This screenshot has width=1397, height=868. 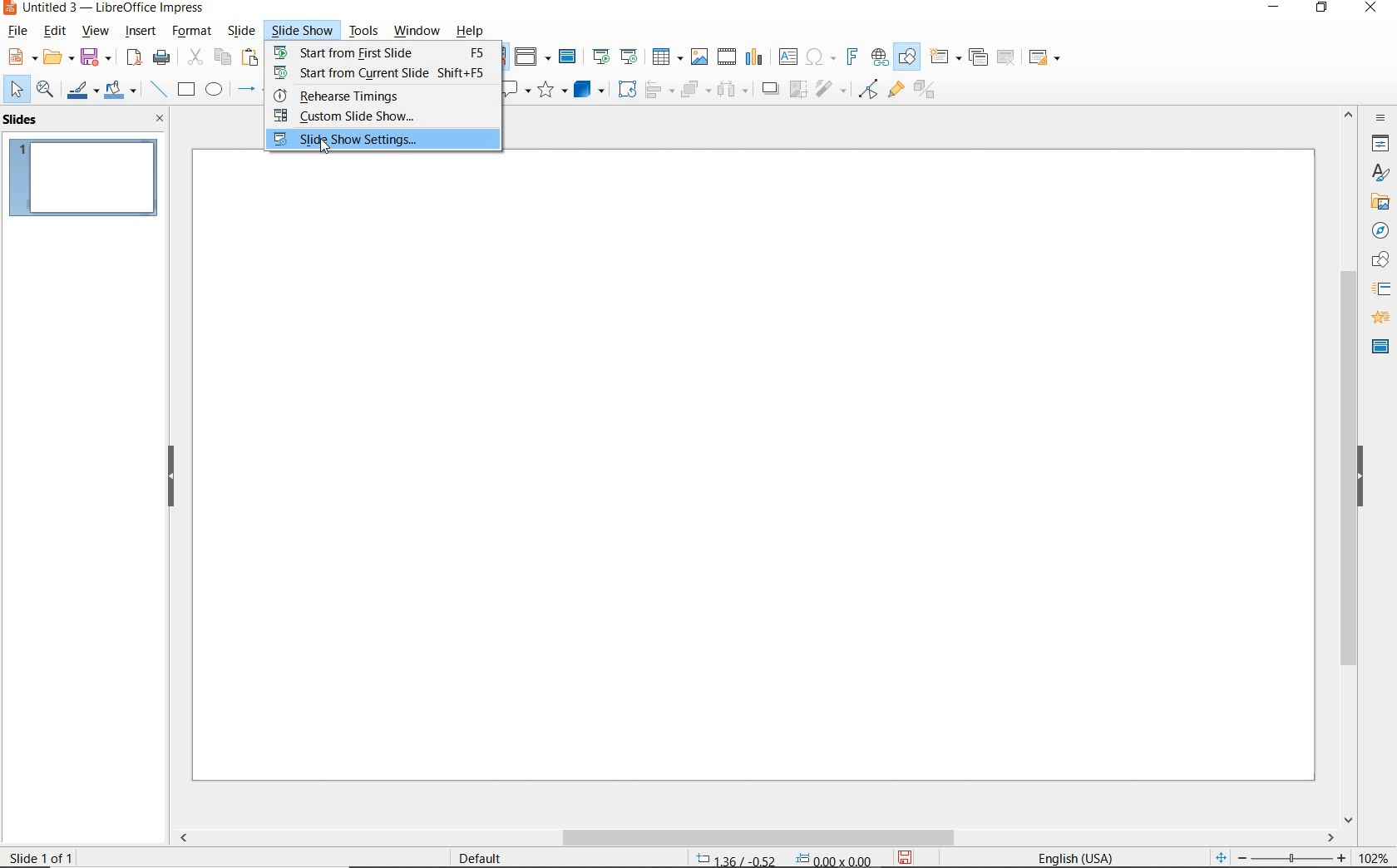 I want to click on ROTATE, so click(x=629, y=89).